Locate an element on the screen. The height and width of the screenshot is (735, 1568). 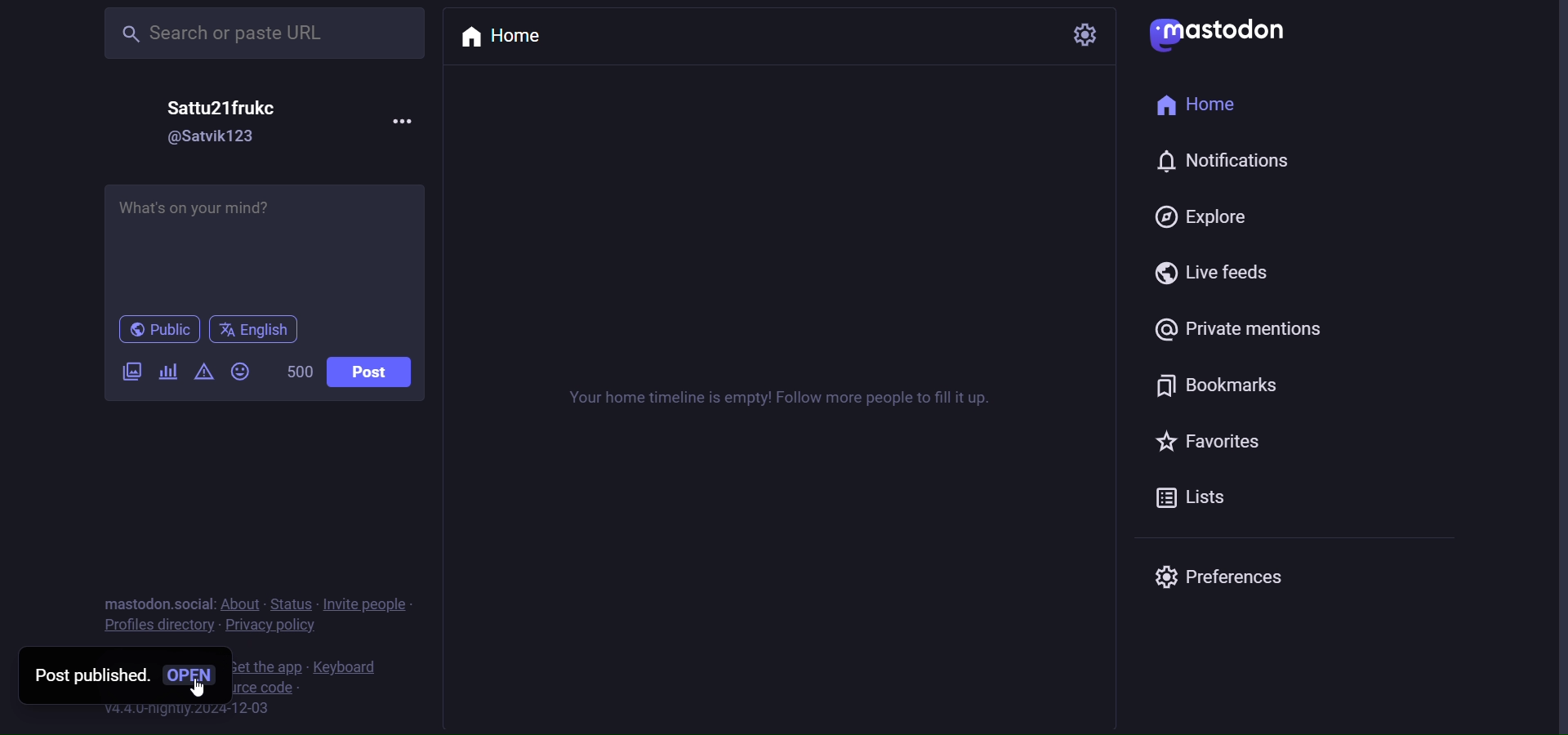
open is located at coordinates (197, 674).